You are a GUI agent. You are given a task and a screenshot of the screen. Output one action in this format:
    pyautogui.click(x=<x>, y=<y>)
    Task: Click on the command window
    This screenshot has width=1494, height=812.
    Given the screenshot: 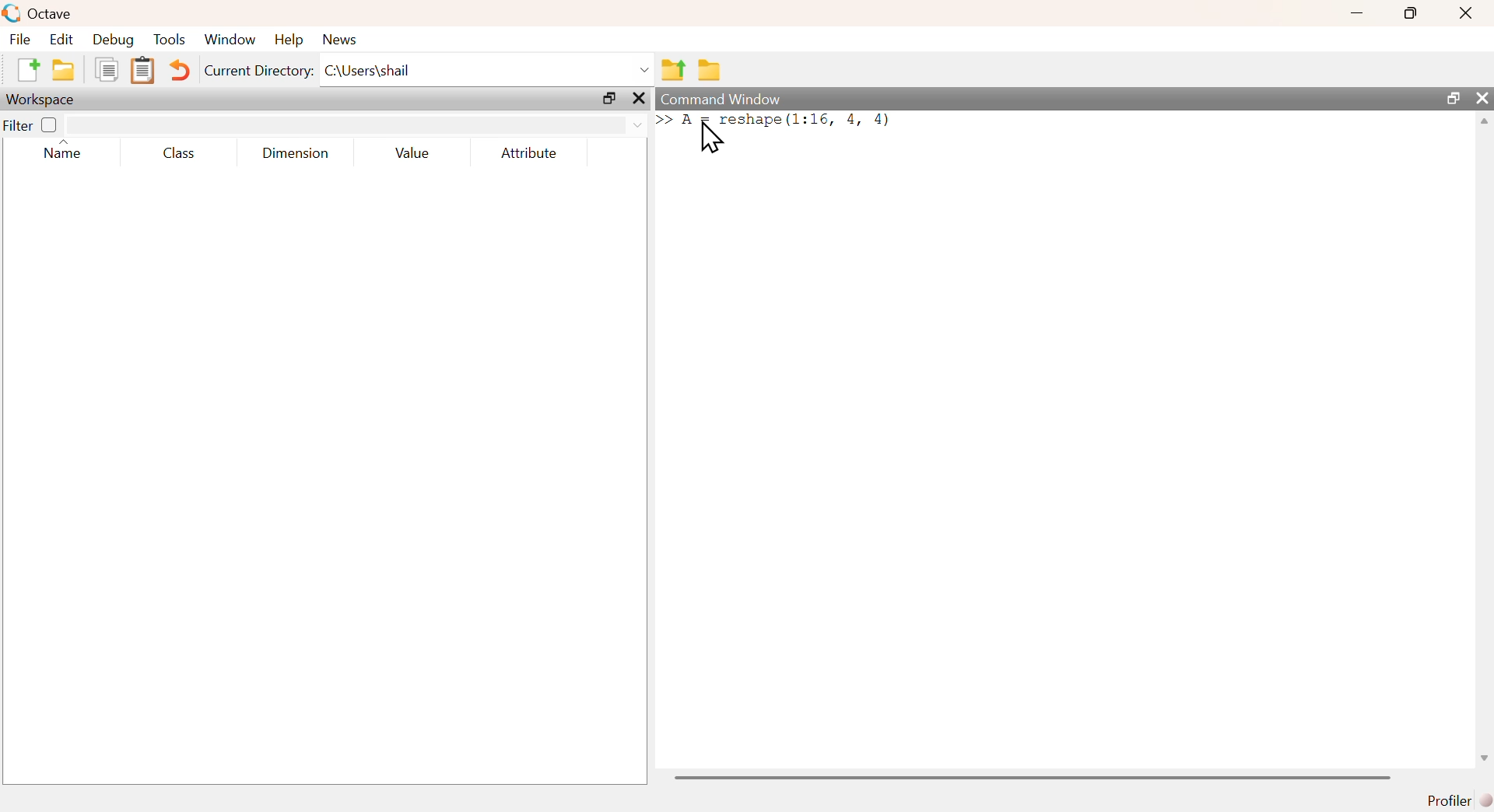 What is the action you would take?
    pyautogui.click(x=721, y=96)
    